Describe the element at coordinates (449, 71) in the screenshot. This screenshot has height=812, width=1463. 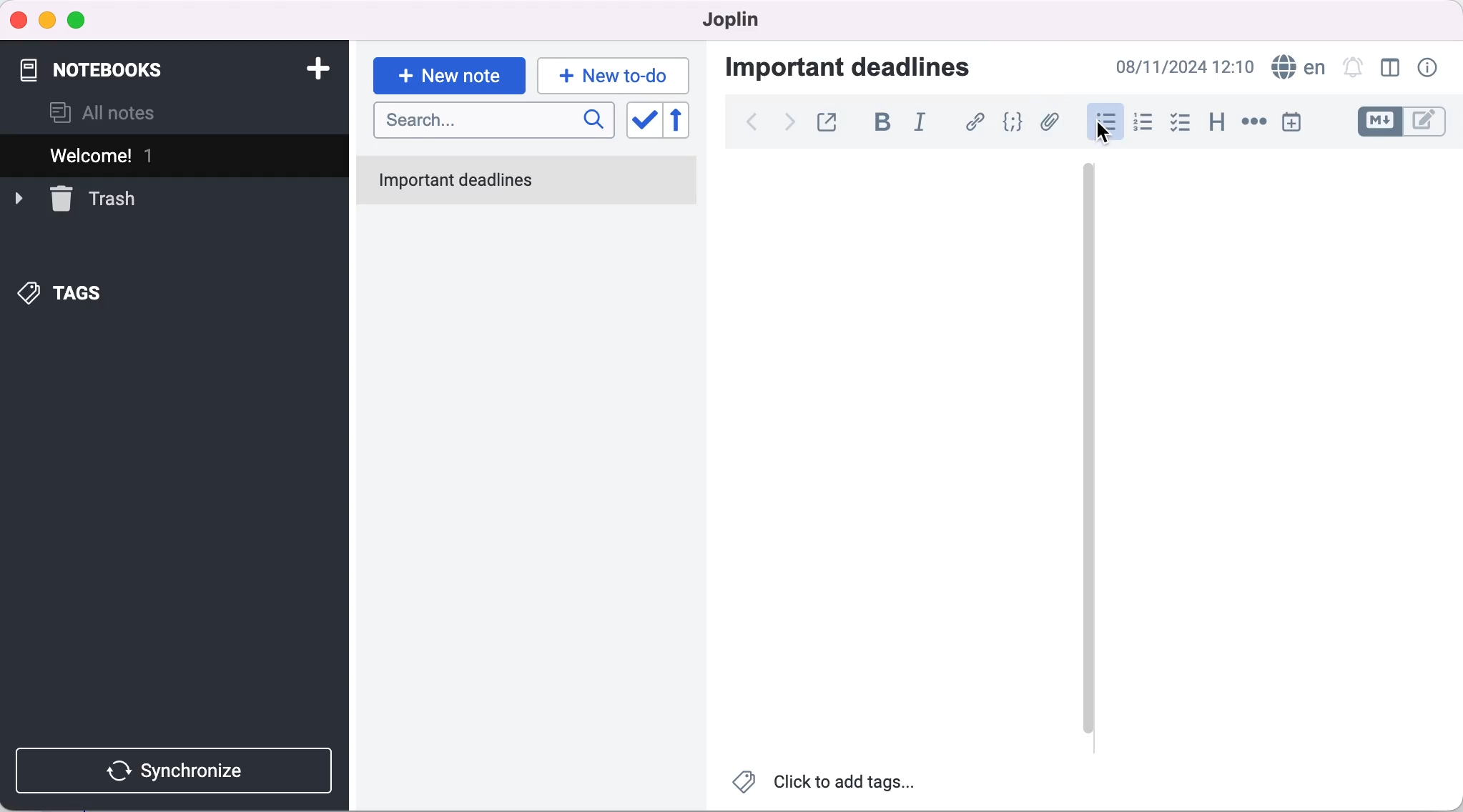
I see `new note` at that location.